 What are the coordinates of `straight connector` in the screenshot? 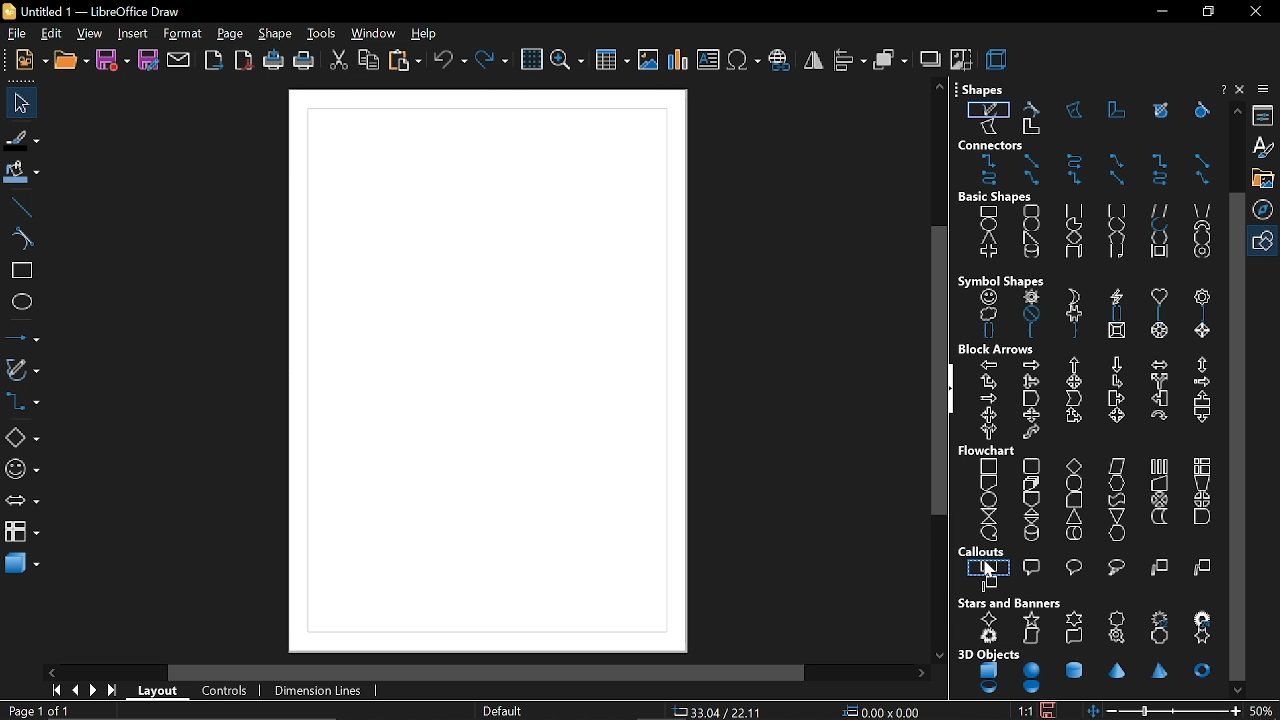 It's located at (1201, 161).